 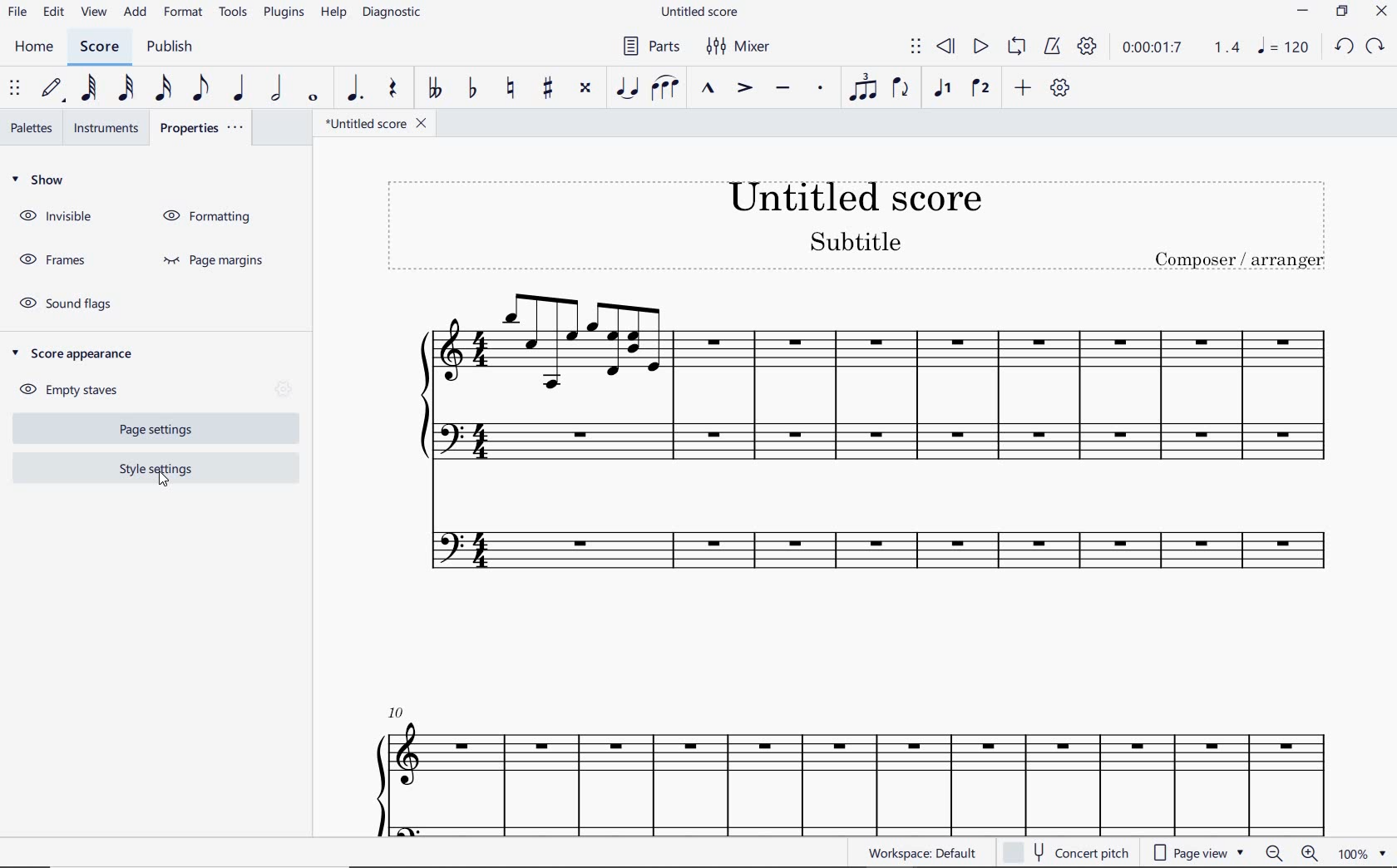 What do you see at coordinates (739, 45) in the screenshot?
I see `MIXER` at bounding box center [739, 45].